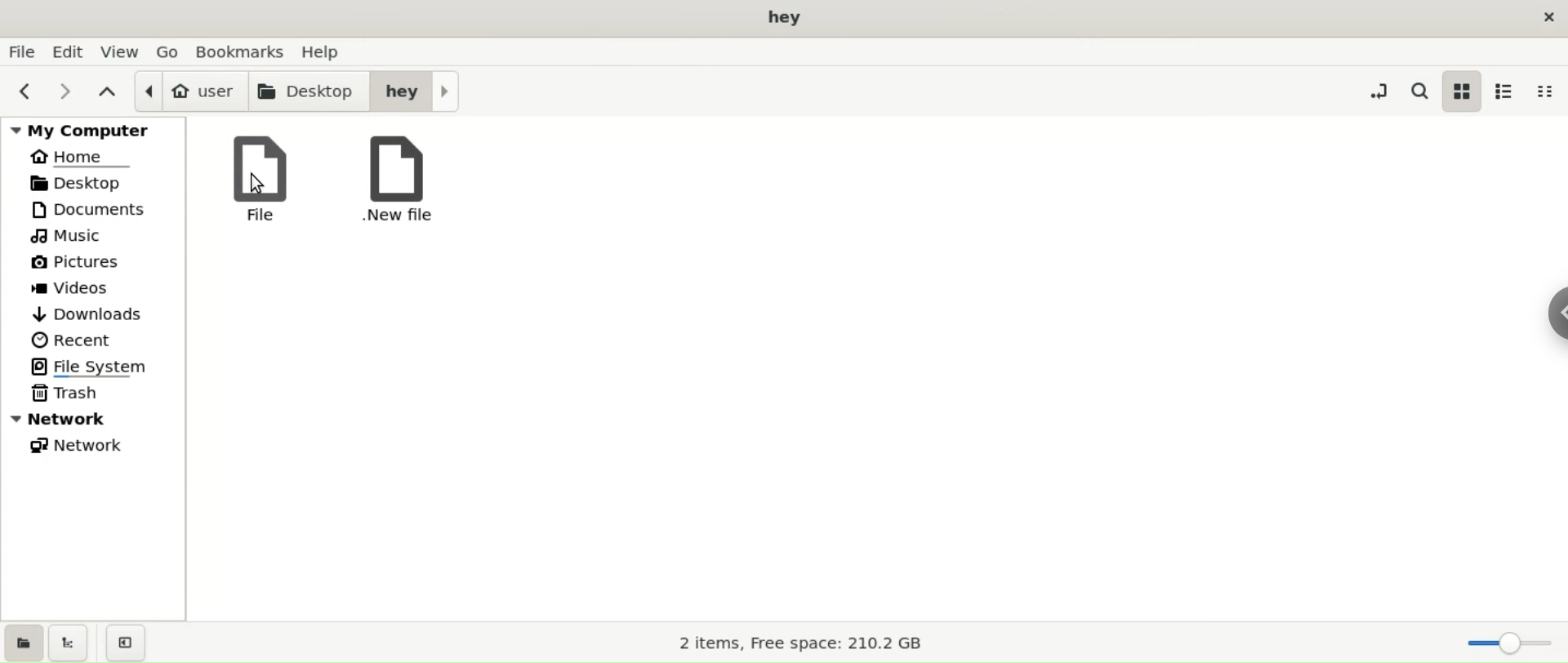 Image resolution: width=1568 pixels, height=663 pixels. Describe the element at coordinates (1549, 91) in the screenshot. I see `compact view` at that location.